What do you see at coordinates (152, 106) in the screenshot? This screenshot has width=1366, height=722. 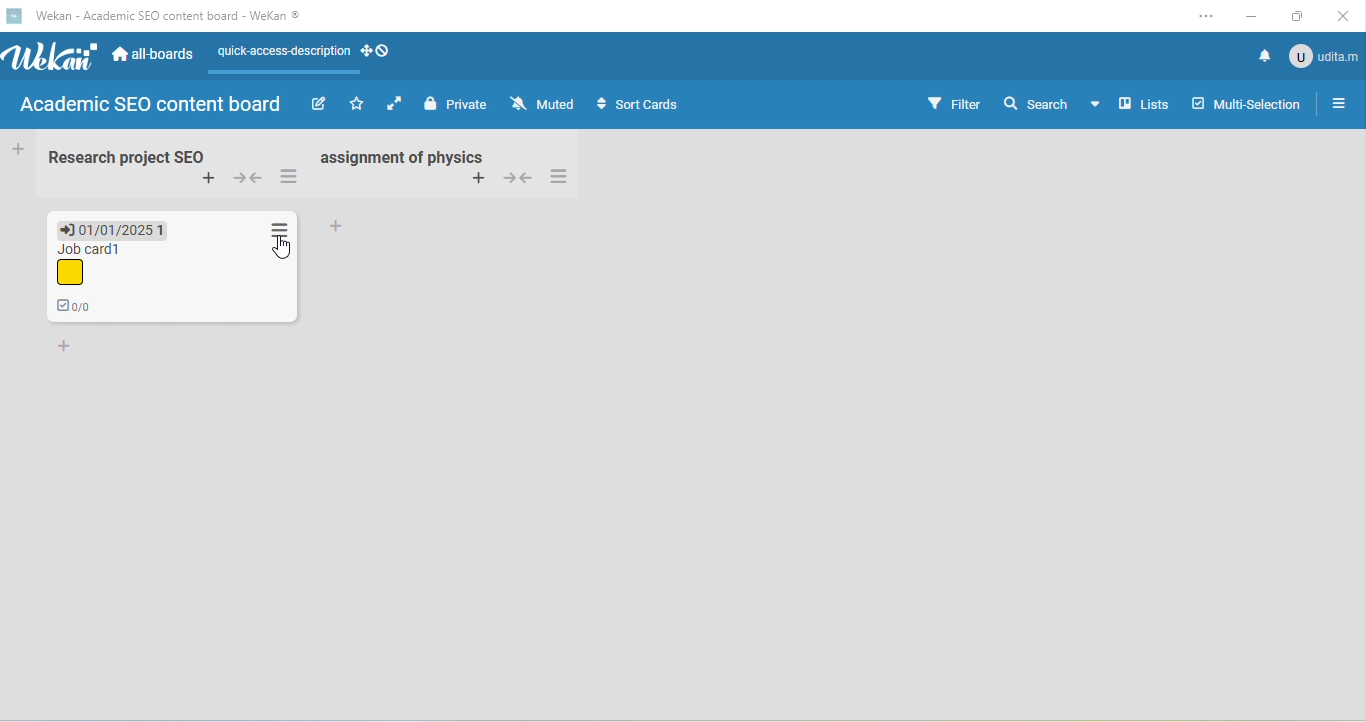 I see `academic sed content board` at bounding box center [152, 106].